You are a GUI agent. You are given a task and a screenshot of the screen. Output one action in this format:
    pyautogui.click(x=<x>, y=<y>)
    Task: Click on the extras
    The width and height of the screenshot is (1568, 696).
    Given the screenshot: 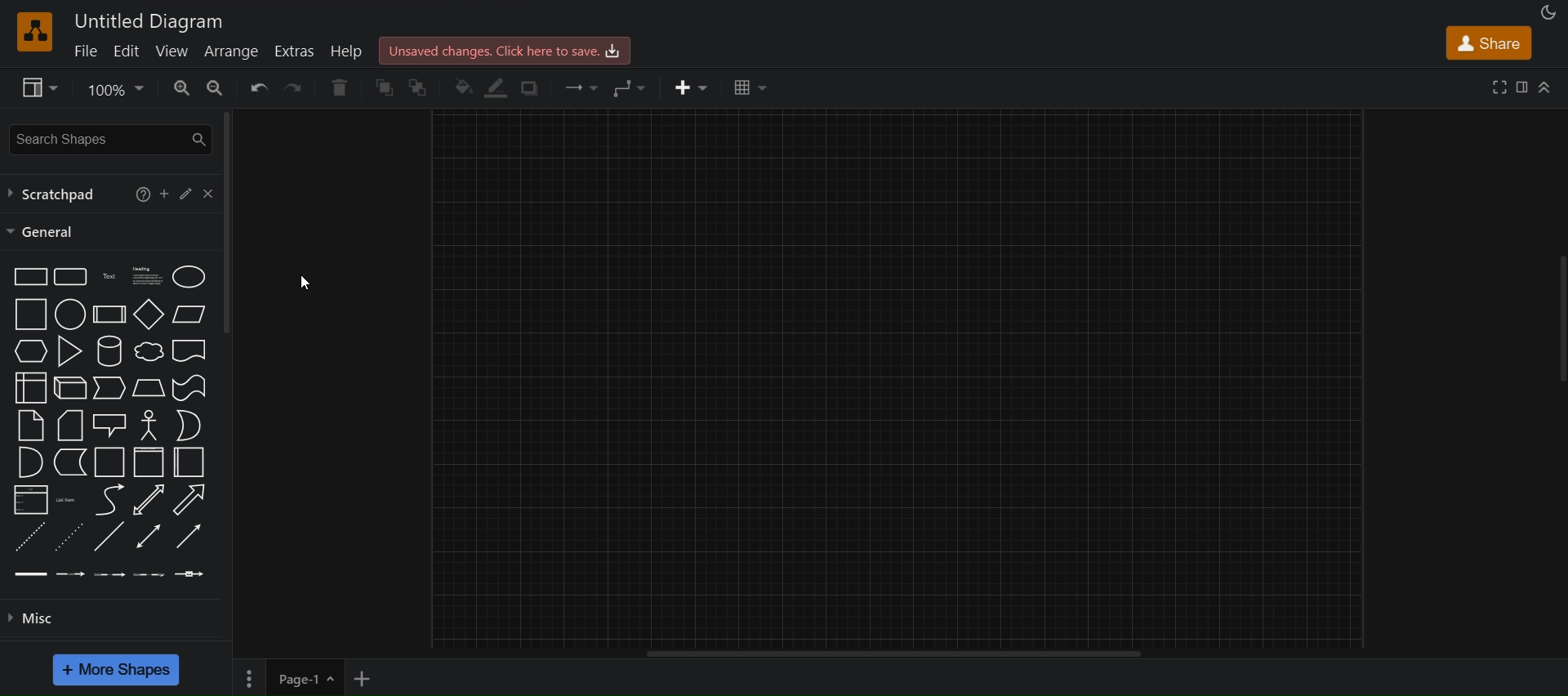 What is the action you would take?
    pyautogui.click(x=292, y=51)
    